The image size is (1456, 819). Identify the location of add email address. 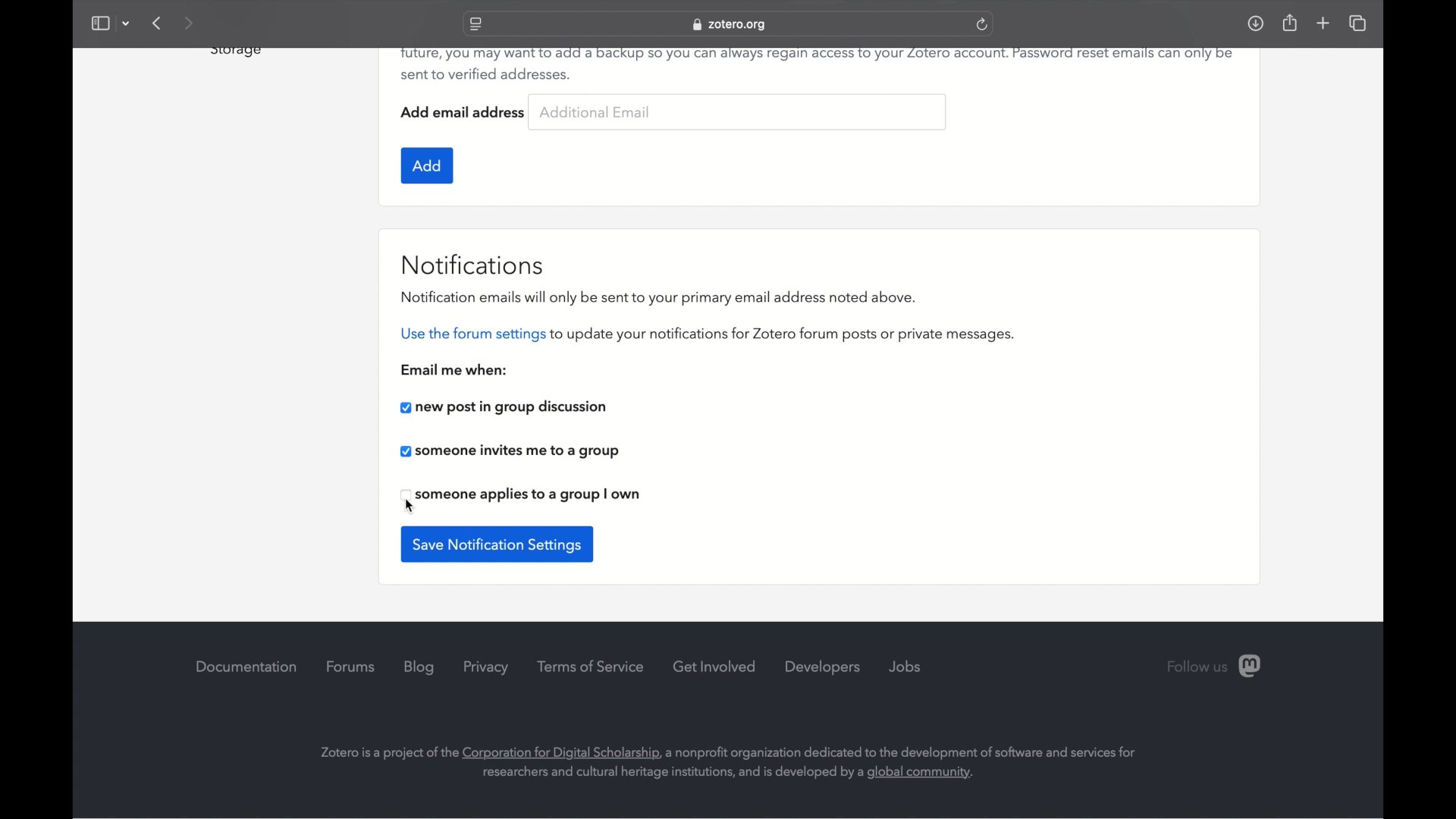
(464, 112).